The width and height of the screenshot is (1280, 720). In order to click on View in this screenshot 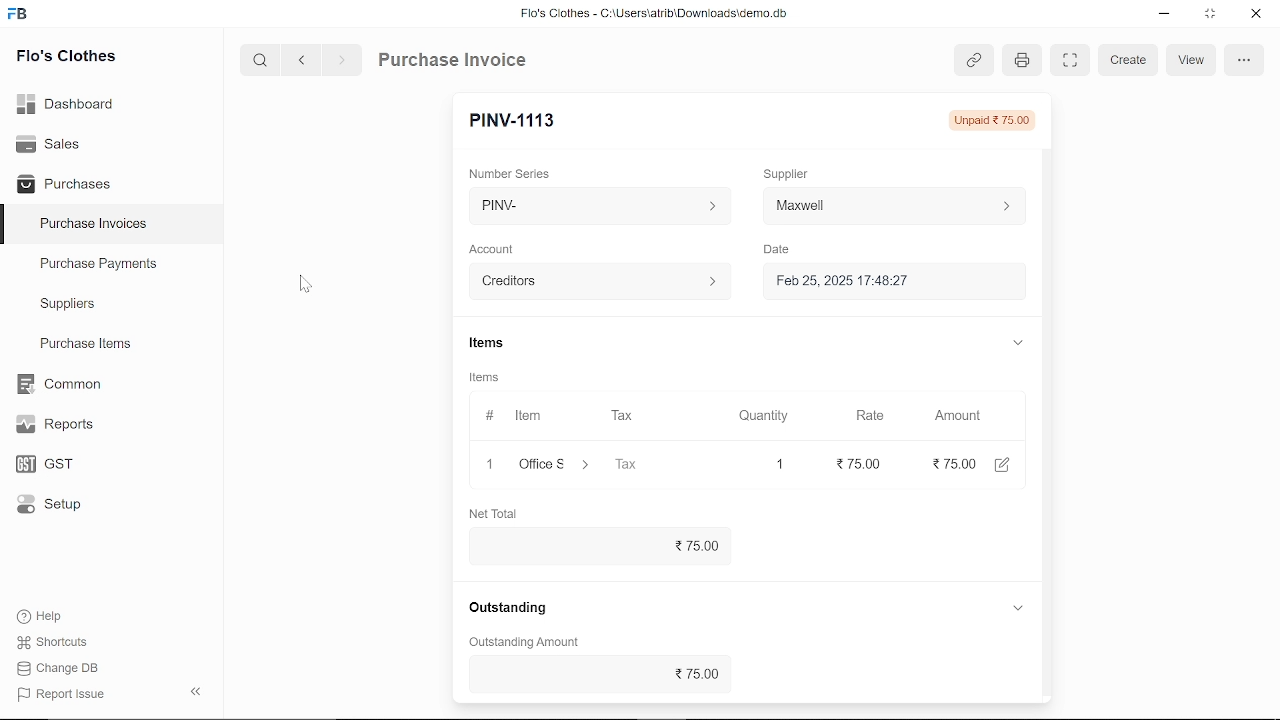, I will do `click(1190, 59)`.